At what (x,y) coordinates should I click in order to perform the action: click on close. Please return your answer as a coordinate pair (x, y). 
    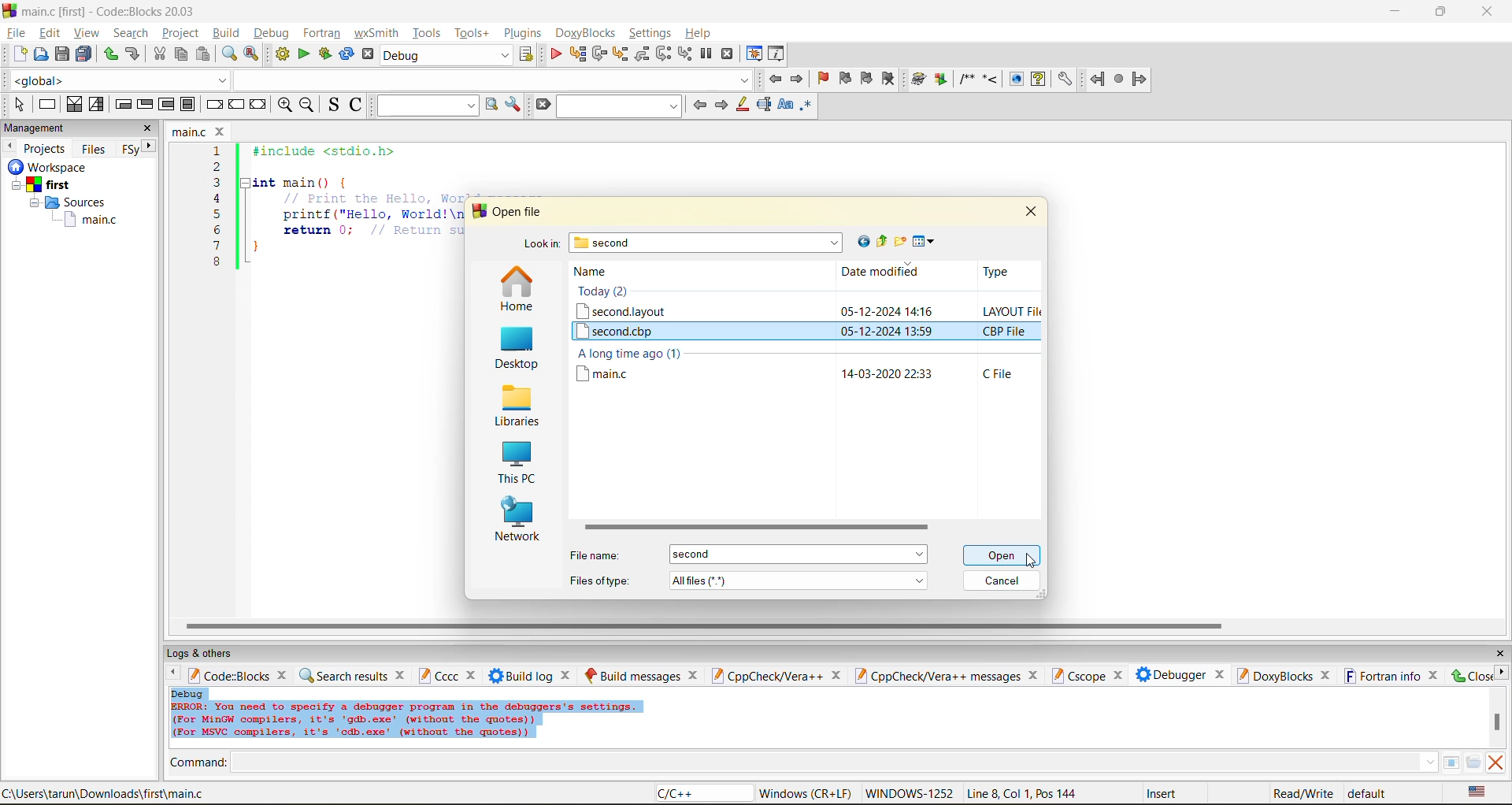
    Looking at the image, I should click on (222, 132).